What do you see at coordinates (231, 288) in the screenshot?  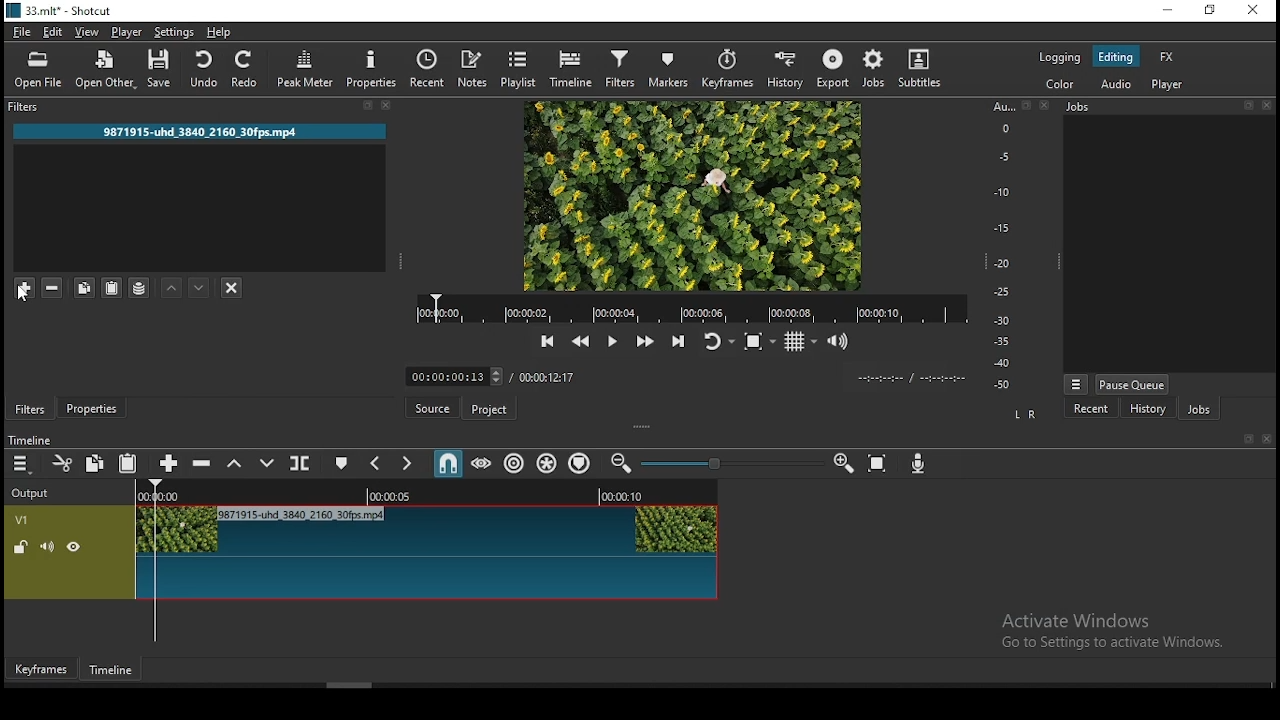 I see `deselect filter` at bounding box center [231, 288].